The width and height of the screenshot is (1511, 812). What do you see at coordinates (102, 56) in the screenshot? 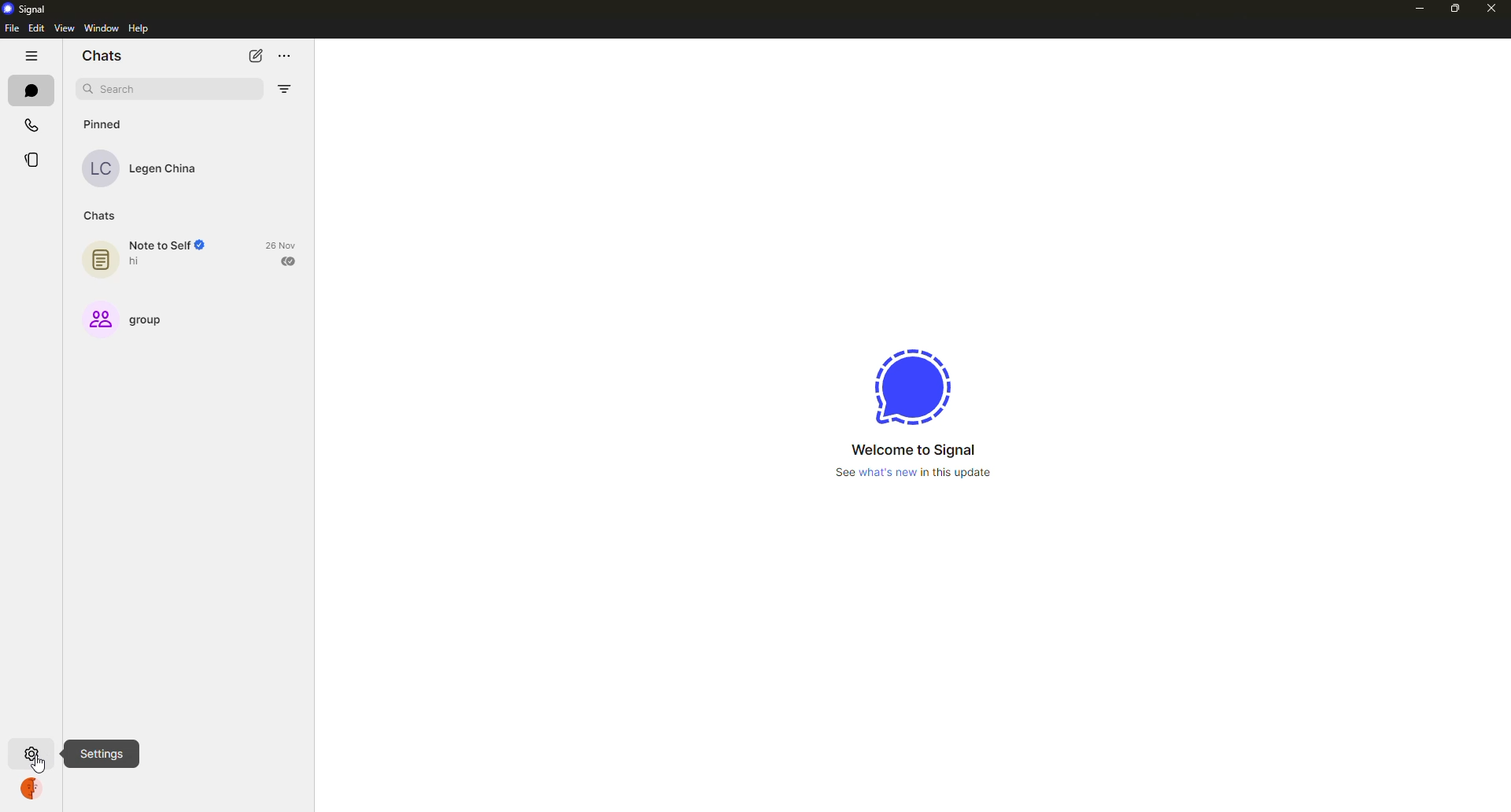
I see `chats` at bounding box center [102, 56].